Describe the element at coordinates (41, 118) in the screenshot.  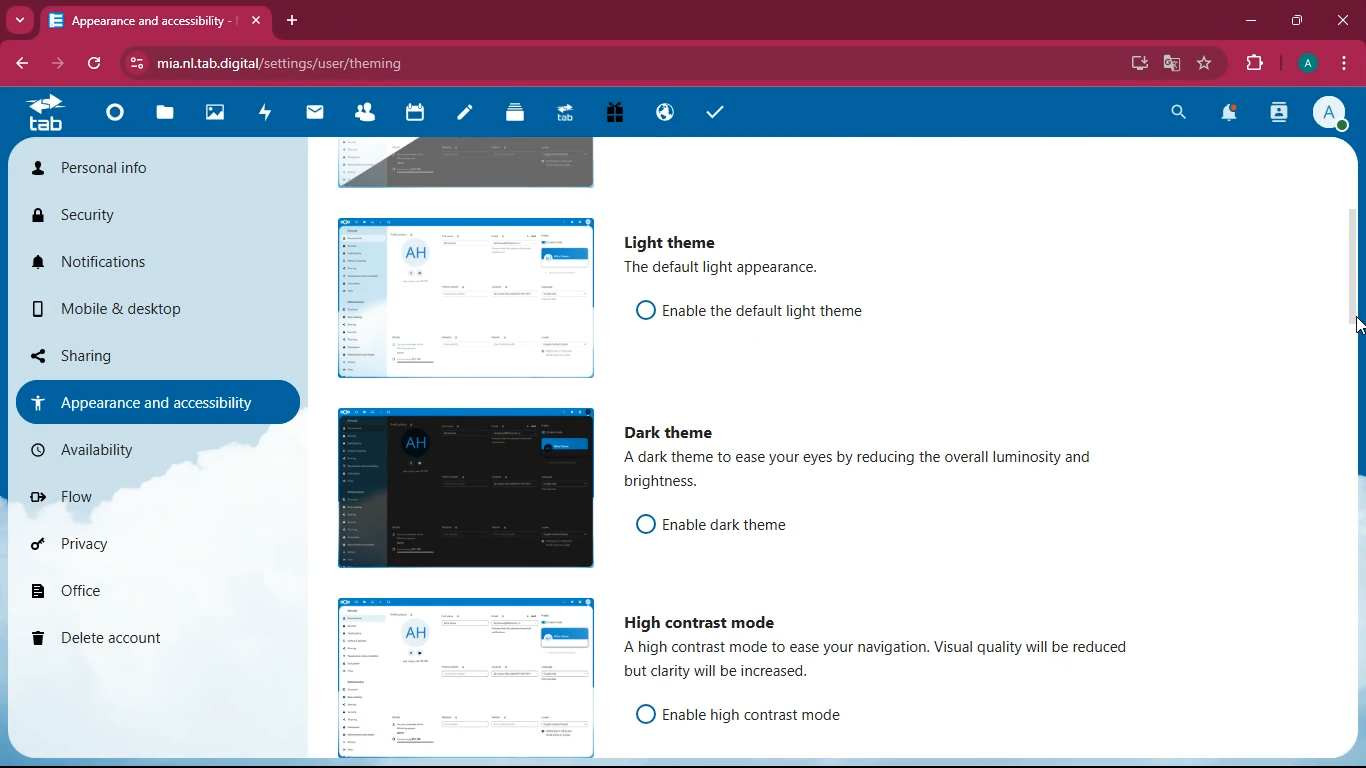
I see `tab` at that location.